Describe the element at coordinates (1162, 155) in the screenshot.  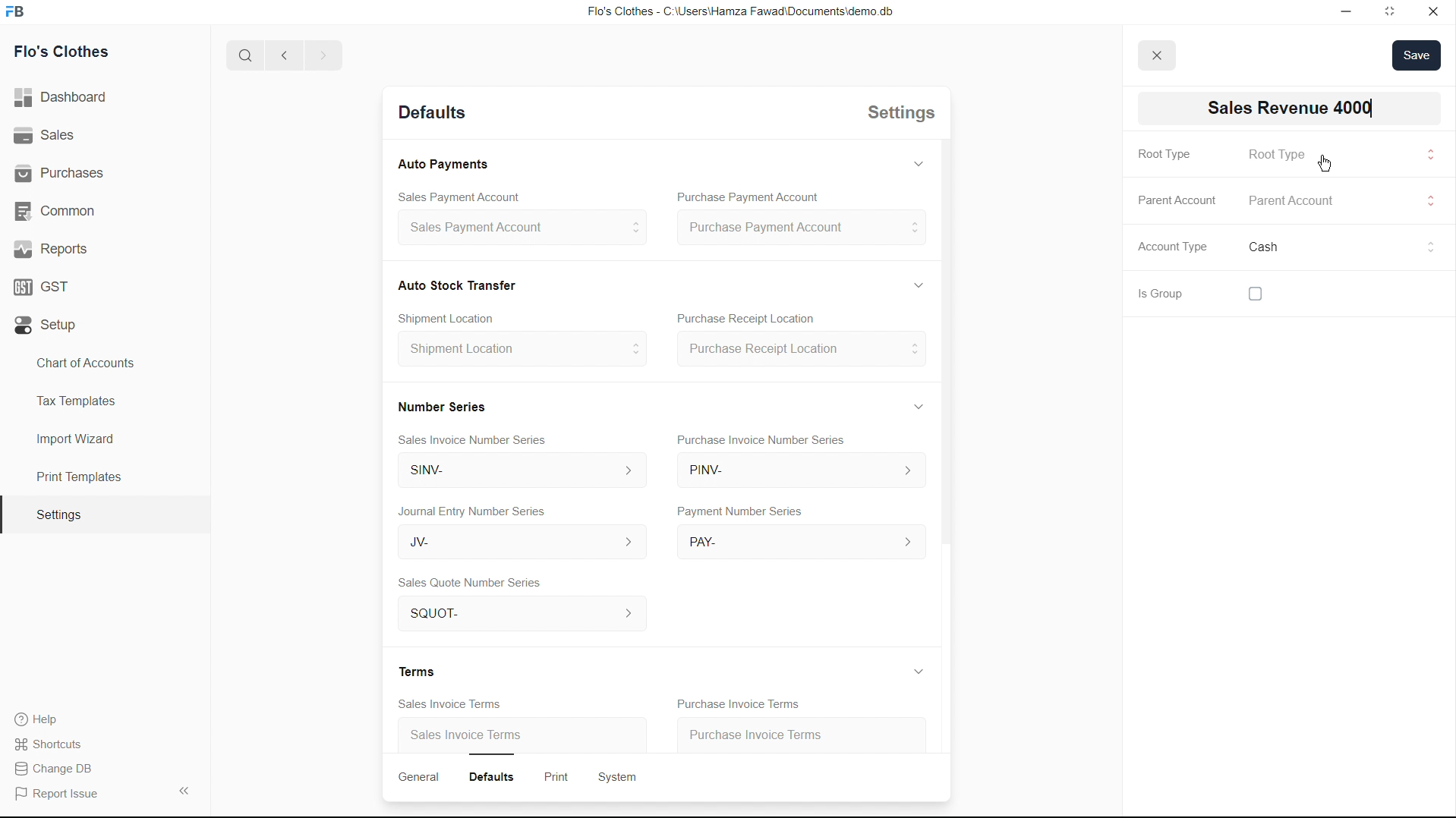
I see `Root Type` at that location.